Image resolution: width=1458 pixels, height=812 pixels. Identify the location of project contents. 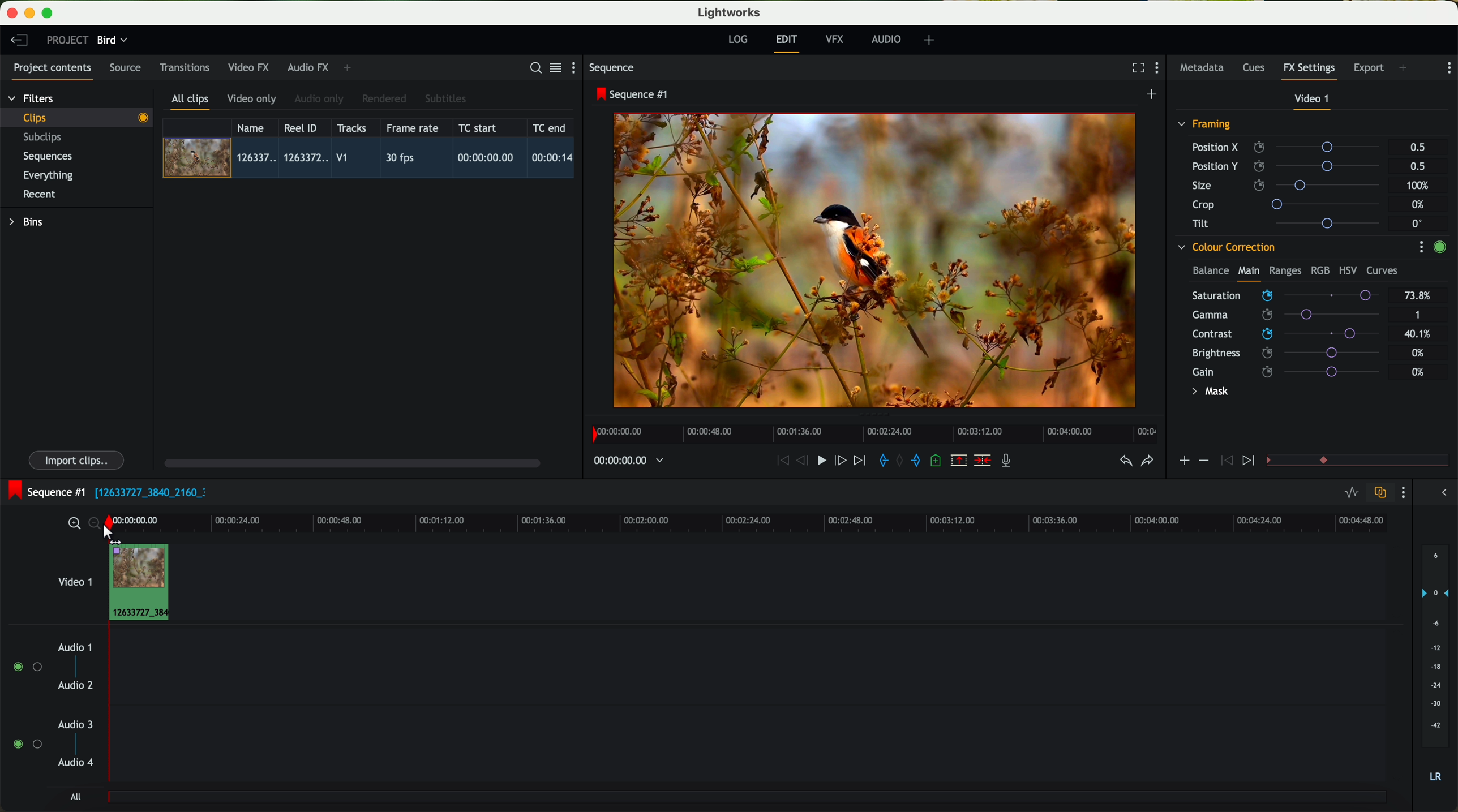
(53, 71).